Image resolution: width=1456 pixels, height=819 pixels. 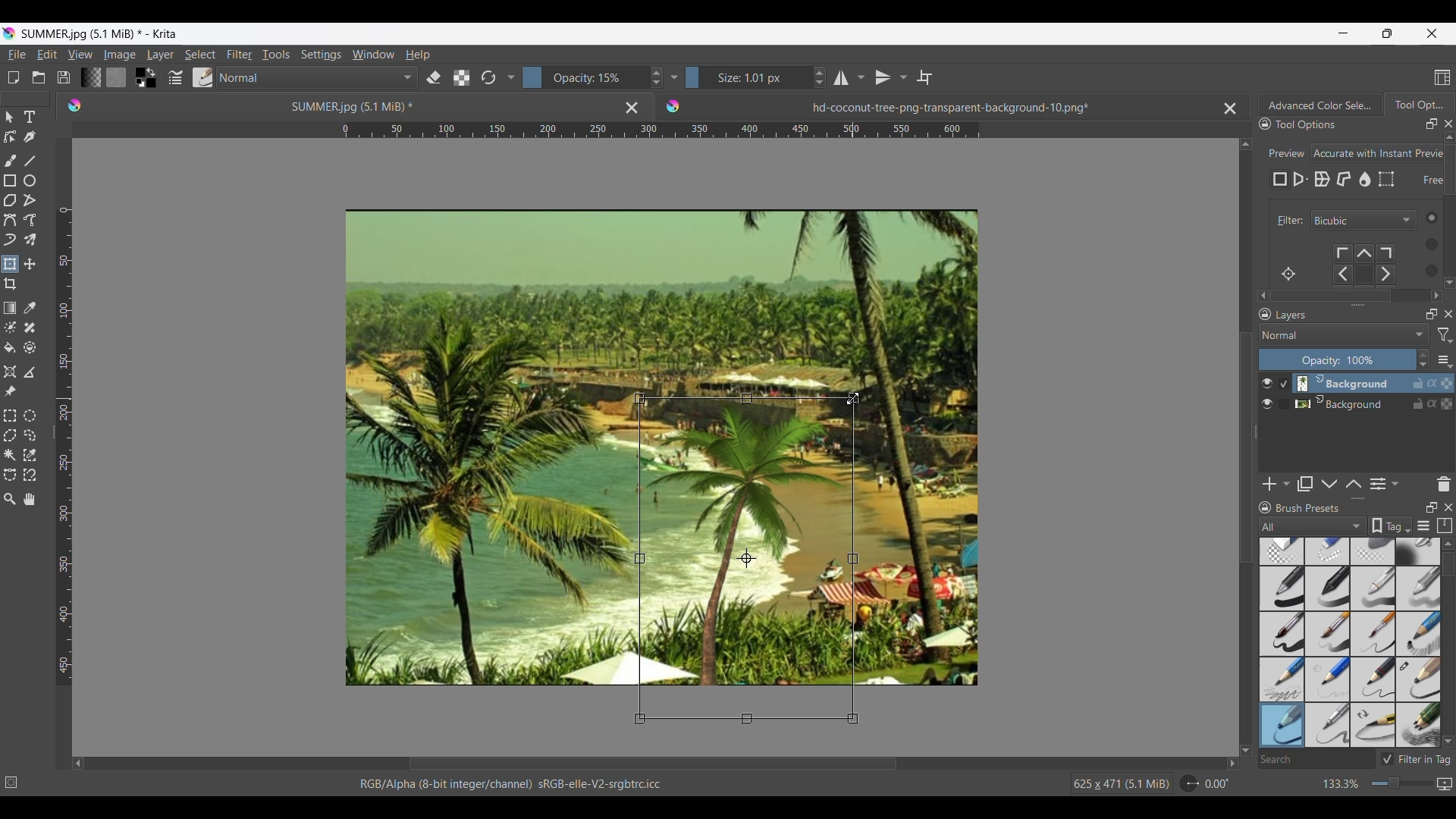 I want to click on Right, so click(x=1434, y=293).